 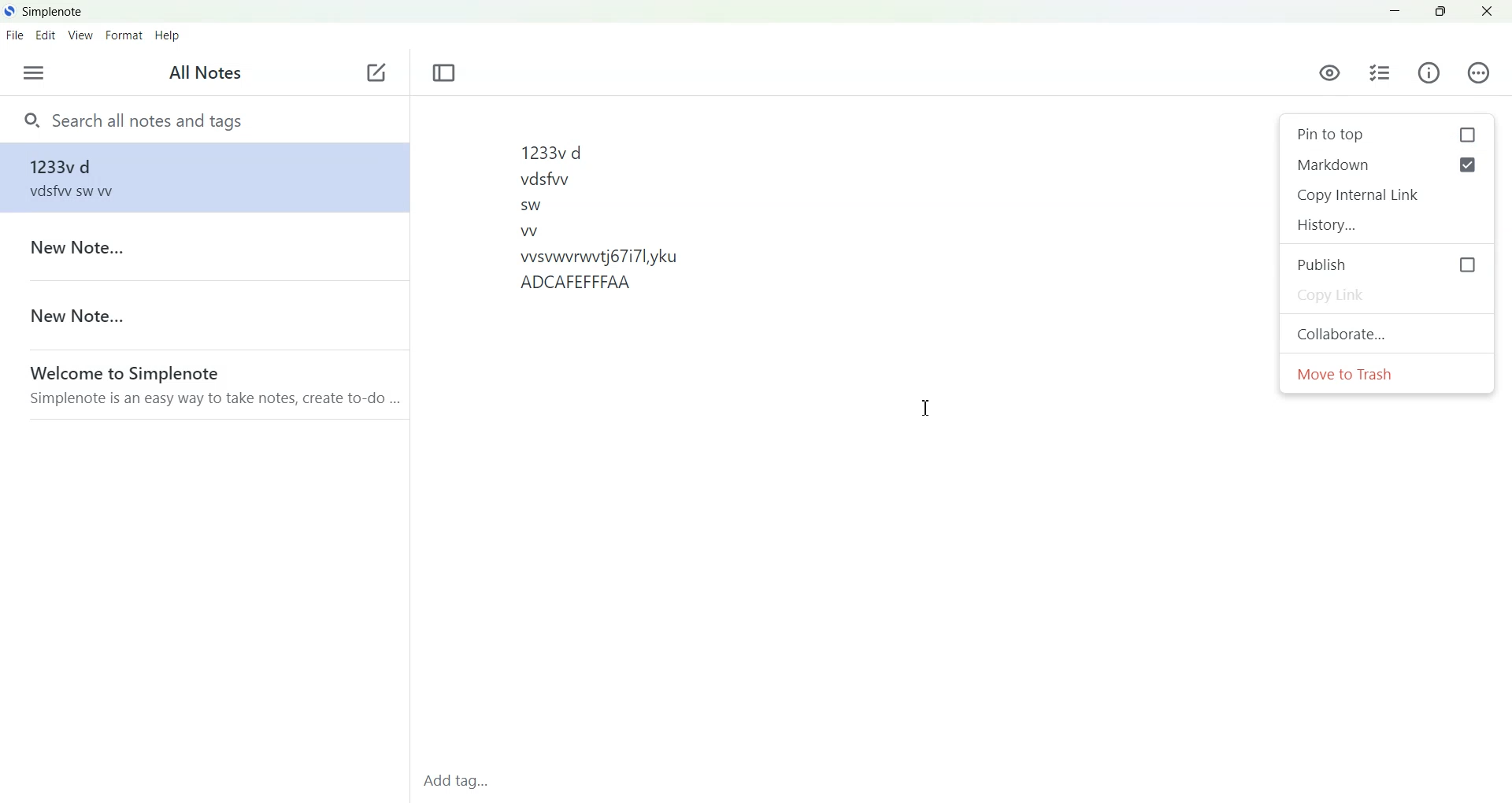 What do you see at coordinates (444, 73) in the screenshot?
I see `Toggle focus mode` at bounding box center [444, 73].